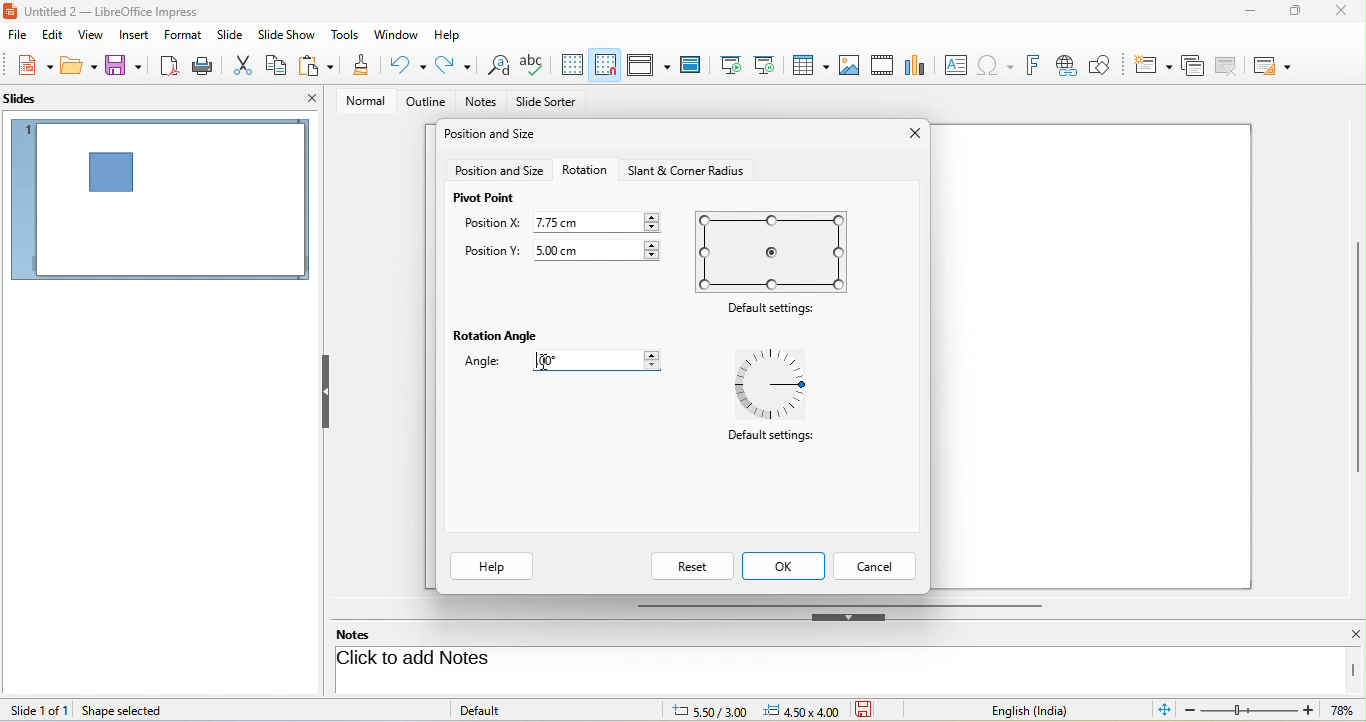 Image resolution: width=1366 pixels, height=722 pixels. Describe the element at coordinates (548, 362) in the screenshot. I see `cursor movement` at that location.